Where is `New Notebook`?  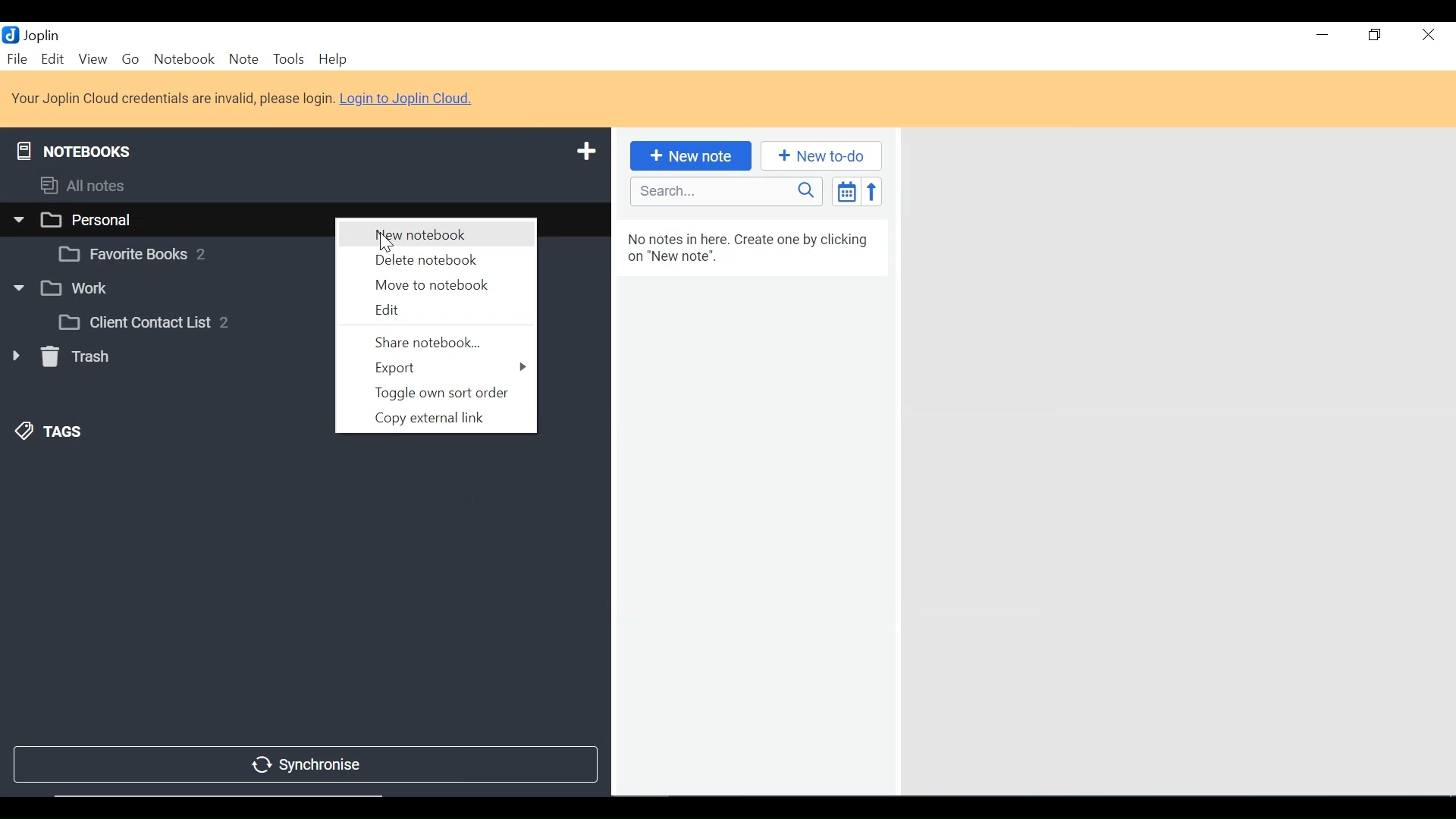
New Notebook is located at coordinates (433, 233).